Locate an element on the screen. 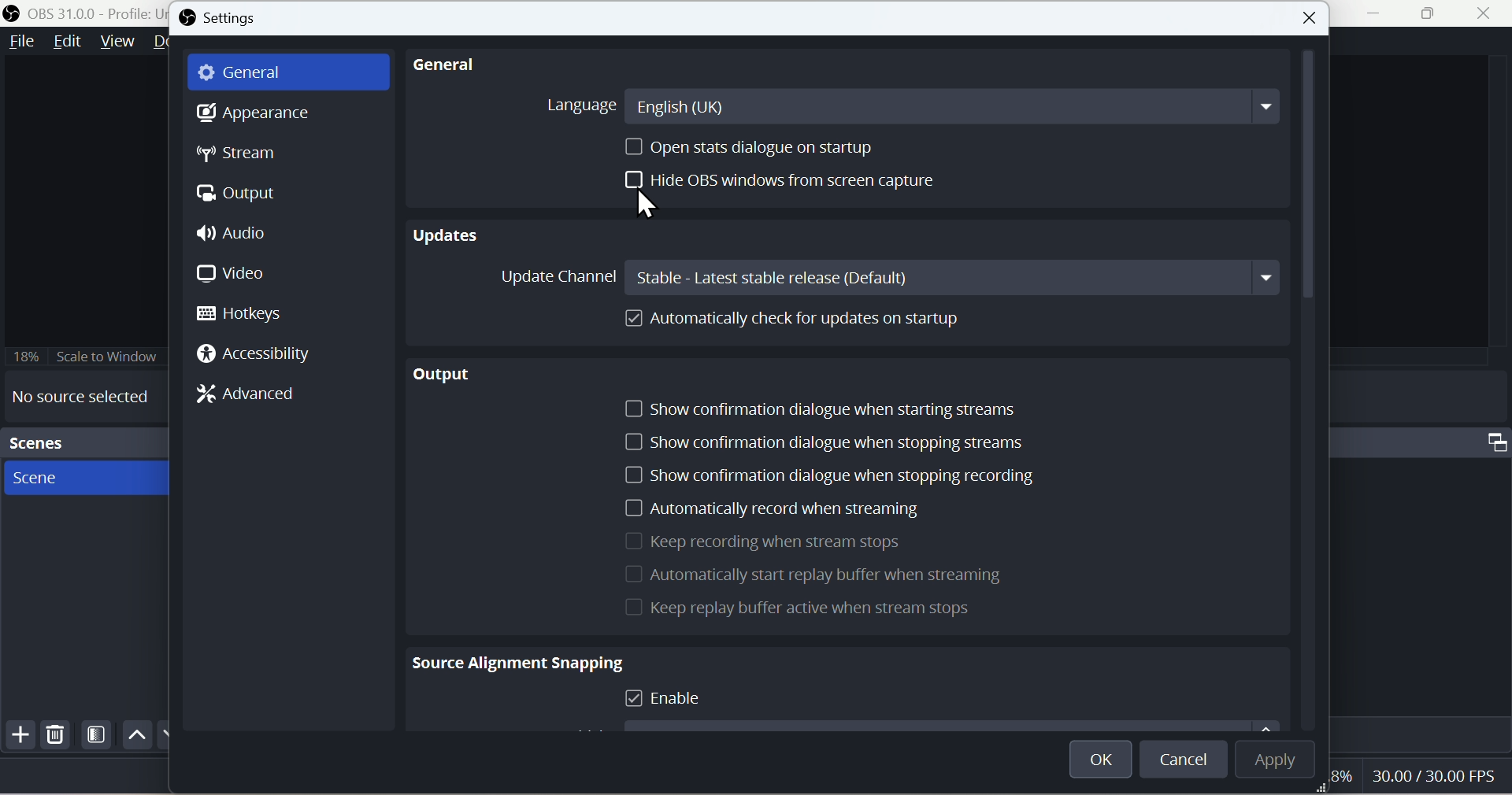 Image resolution: width=1512 pixels, height=795 pixels. Cancel is located at coordinates (1184, 761).